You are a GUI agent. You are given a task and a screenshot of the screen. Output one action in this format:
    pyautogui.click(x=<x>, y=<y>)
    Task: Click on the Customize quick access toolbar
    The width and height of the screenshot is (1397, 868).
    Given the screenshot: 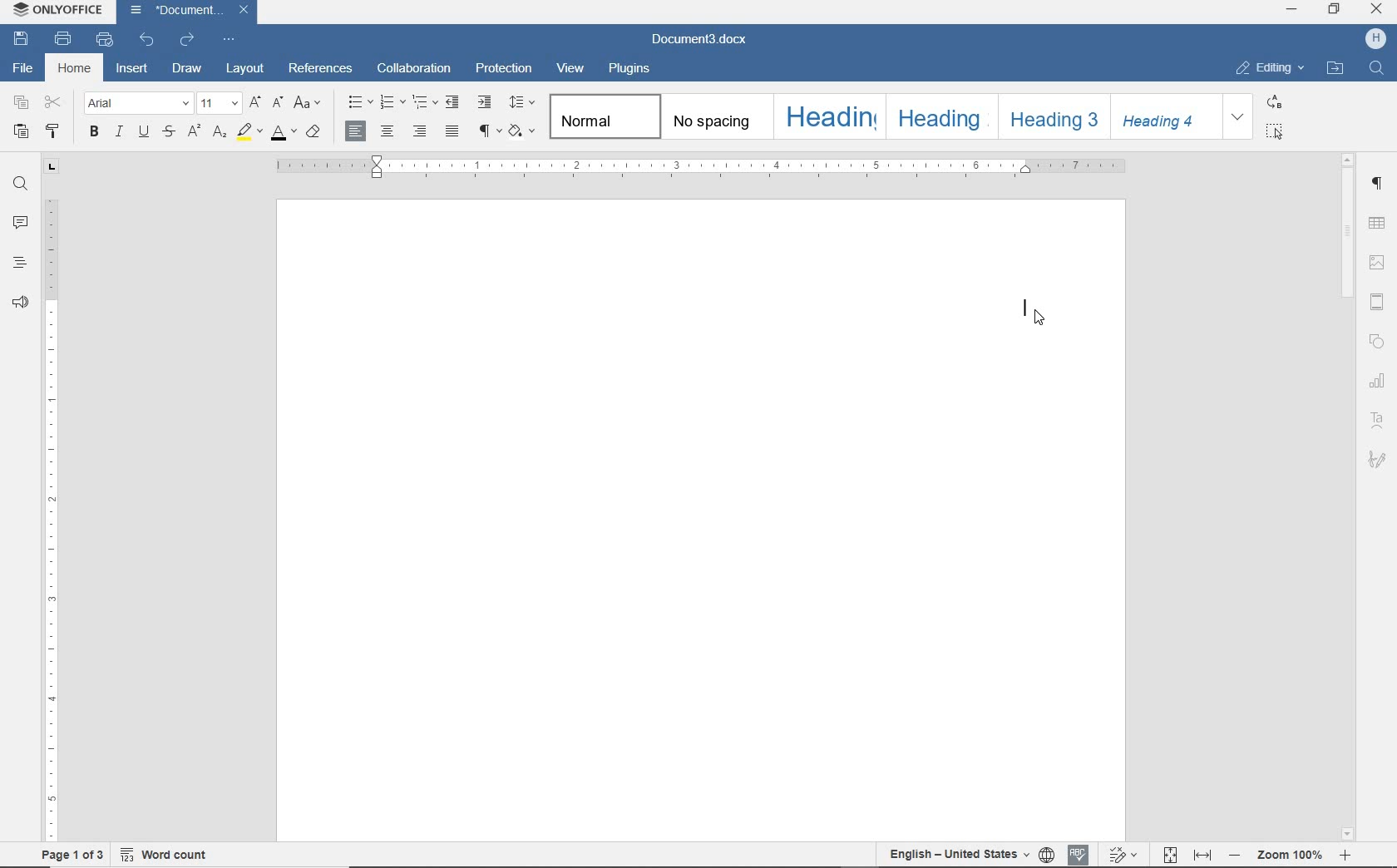 What is the action you would take?
    pyautogui.click(x=233, y=37)
    